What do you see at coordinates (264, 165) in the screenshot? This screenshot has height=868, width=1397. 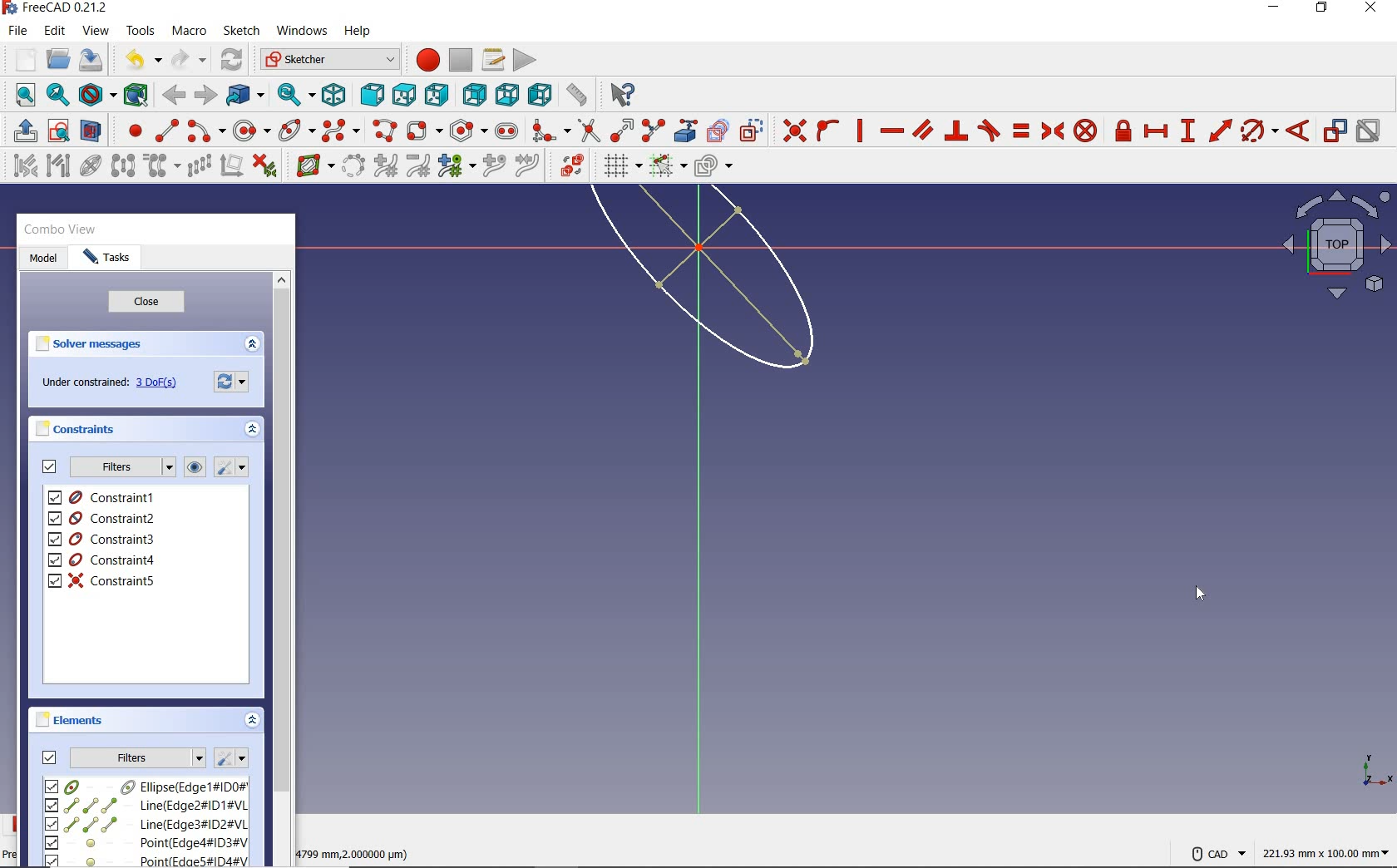 I see `delete all constraints` at bounding box center [264, 165].